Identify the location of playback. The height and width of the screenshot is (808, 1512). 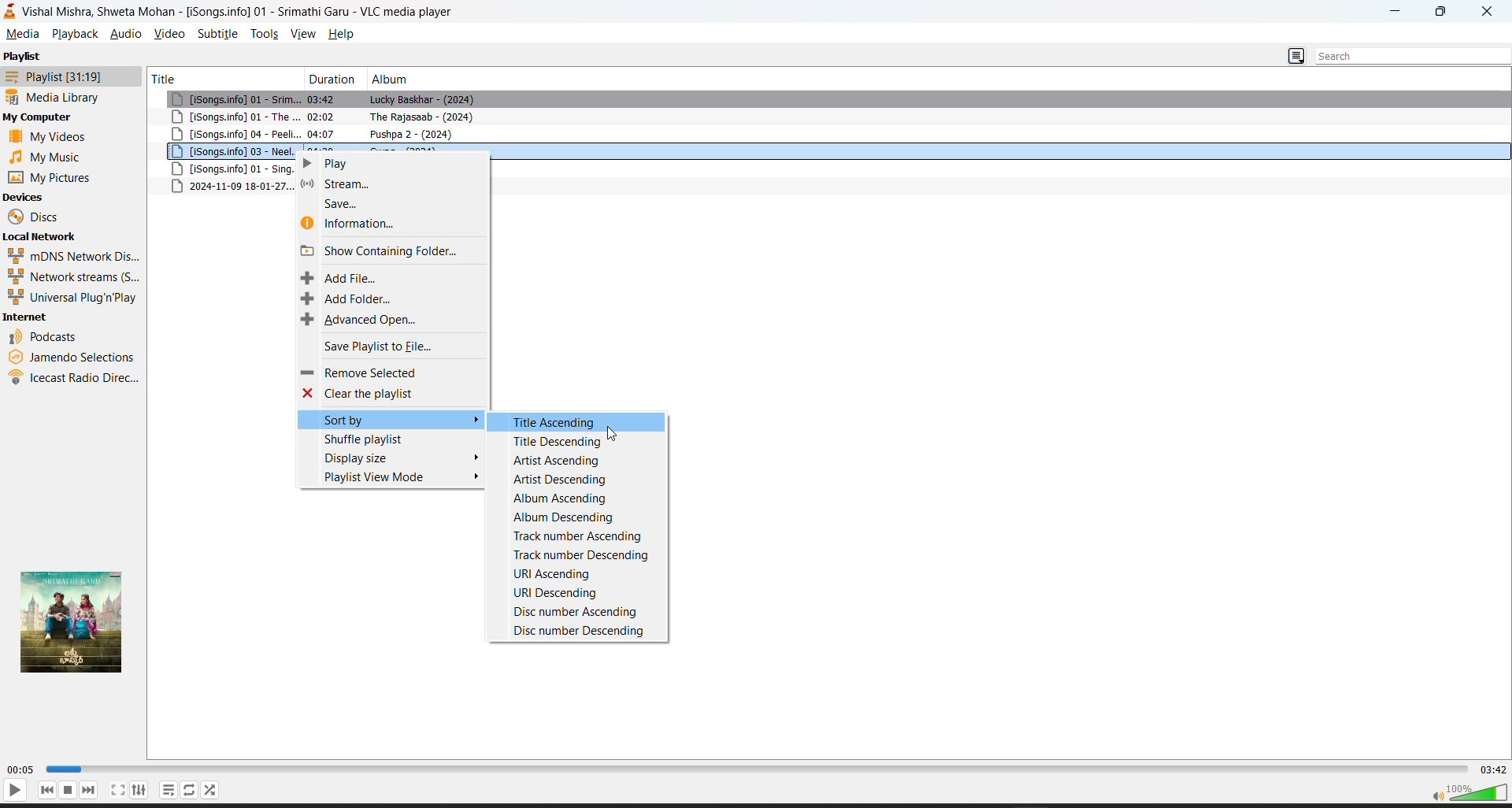
(76, 33).